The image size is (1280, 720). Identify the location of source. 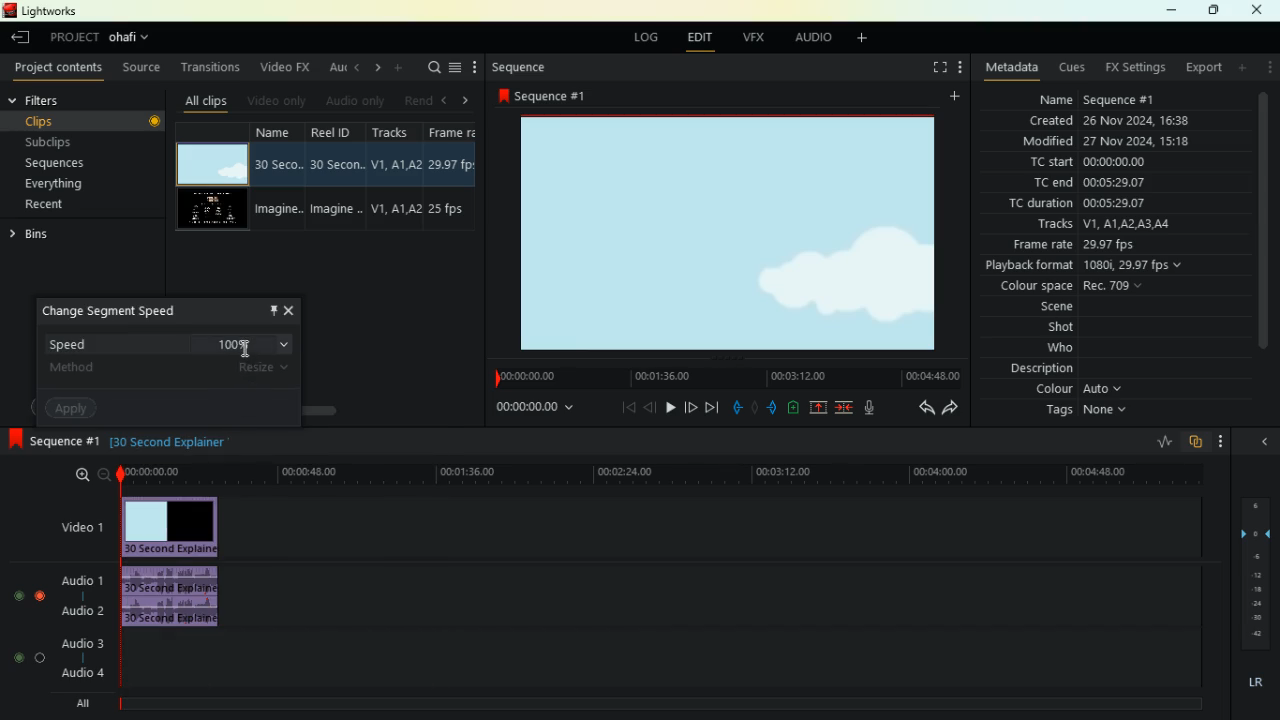
(144, 69).